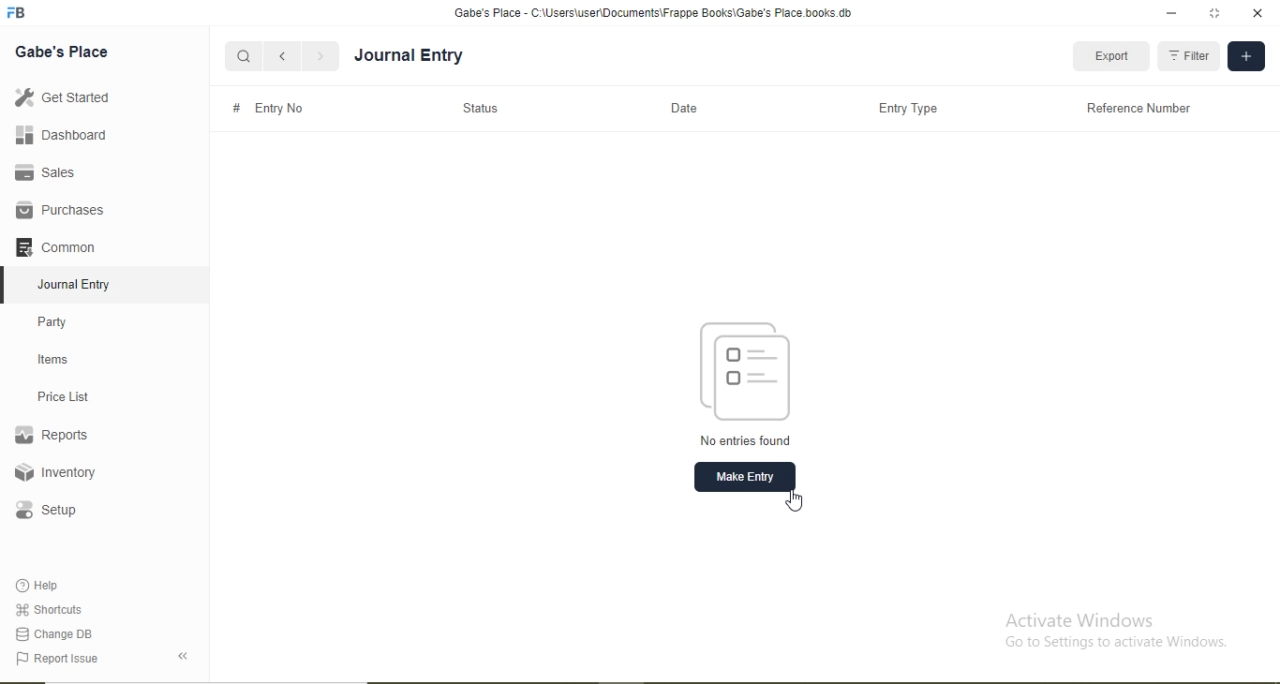 Image resolution: width=1280 pixels, height=684 pixels. I want to click on Logo, so click(746, 372).